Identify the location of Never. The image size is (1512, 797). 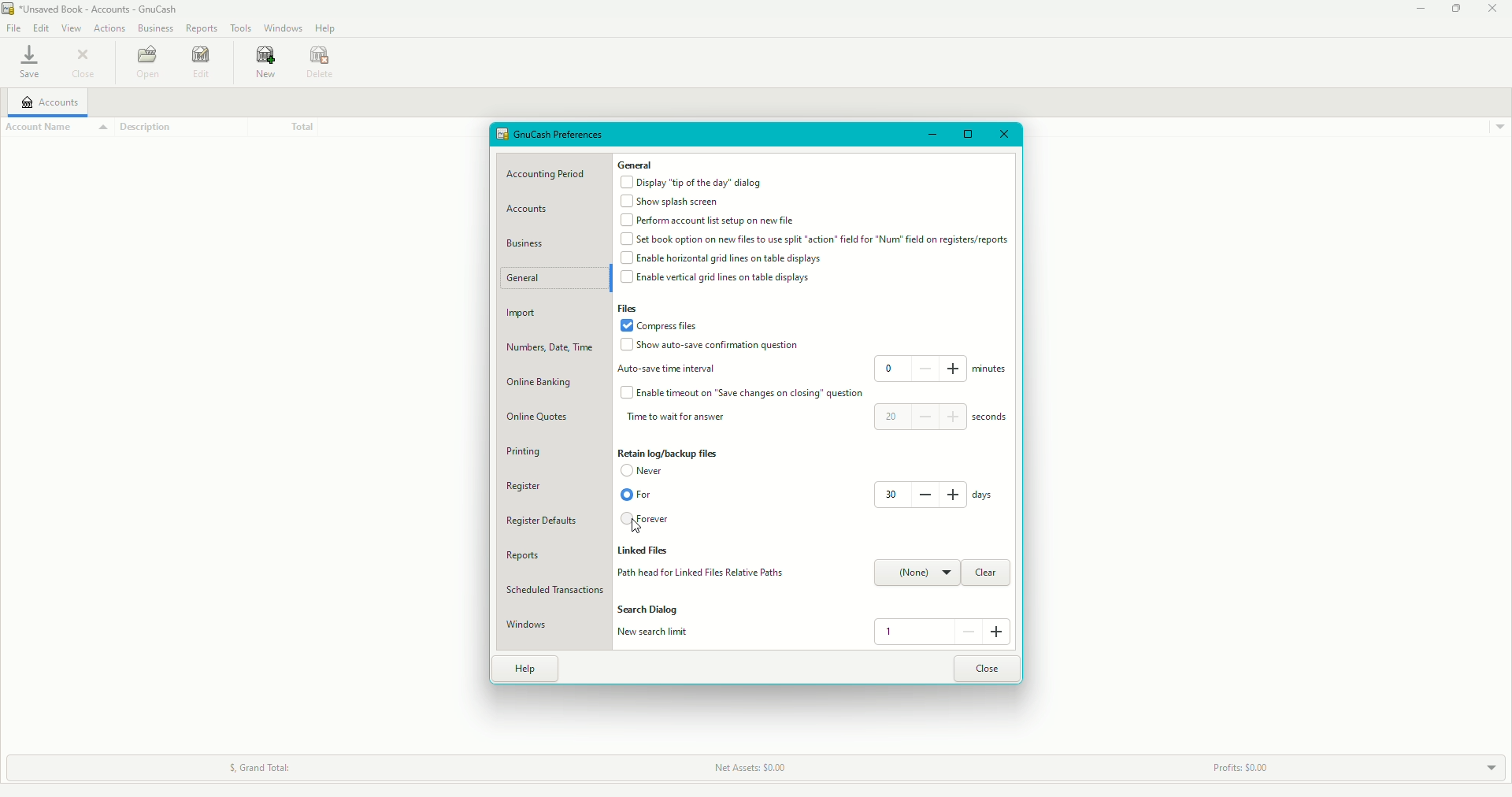
(647, 471).